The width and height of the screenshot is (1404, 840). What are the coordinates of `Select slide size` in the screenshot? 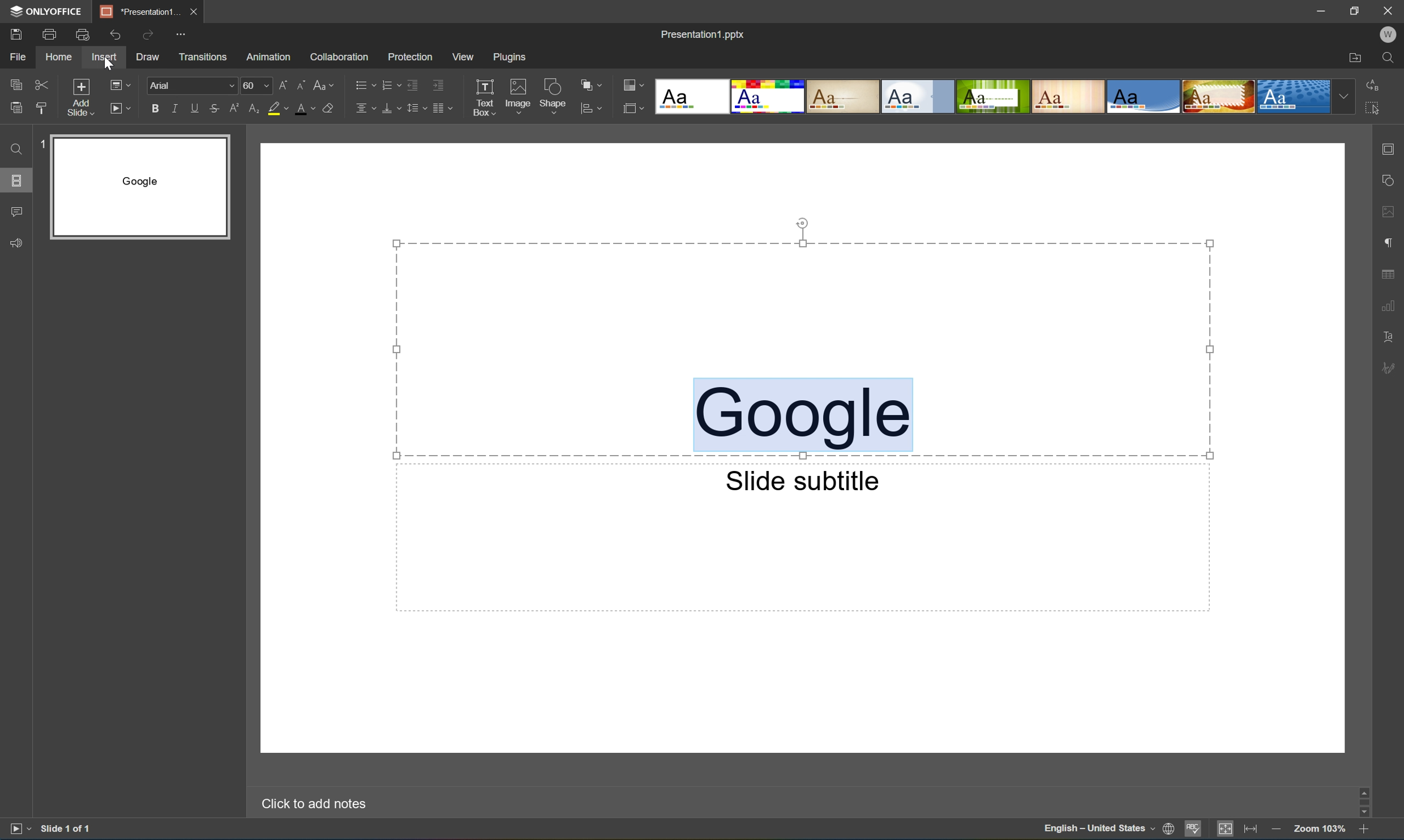 It's located at (633, 112).